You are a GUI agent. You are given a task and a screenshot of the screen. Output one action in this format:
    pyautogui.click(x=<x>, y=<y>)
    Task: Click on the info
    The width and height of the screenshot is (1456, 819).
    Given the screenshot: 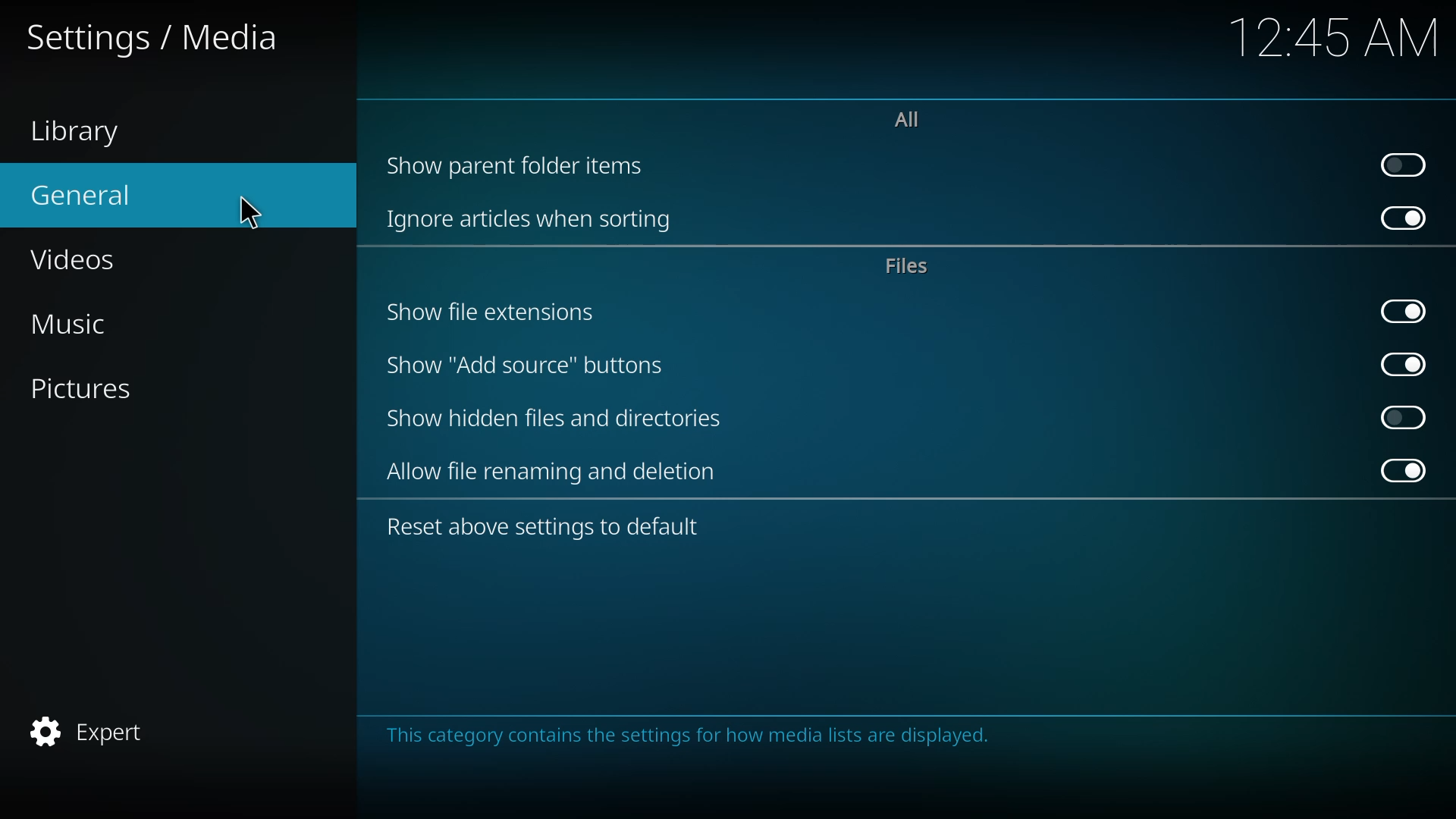 What is the action you would take?
    pyautogui.click(x=696, y=739)
    